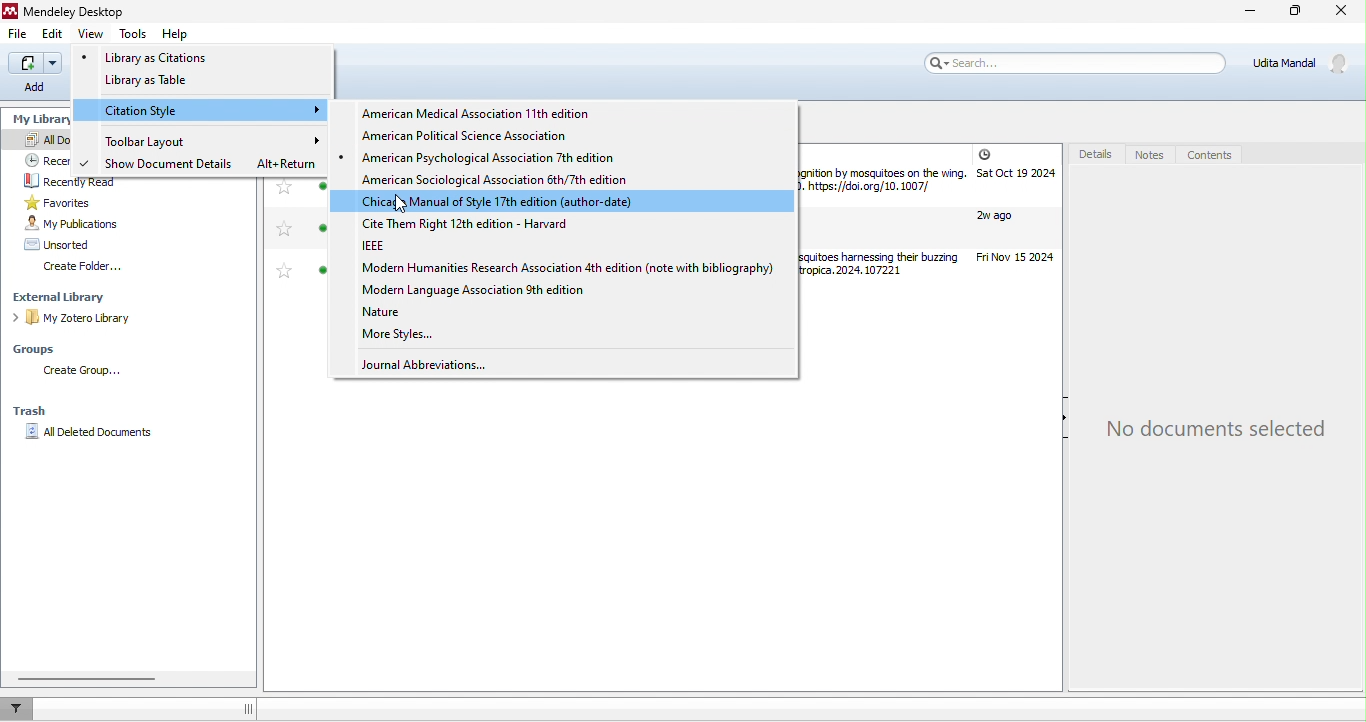 The height and width of the screenshot is (722, 1366). Describe the element at coordinates (31, 411) in the screenshot. I see `trash` at that location.